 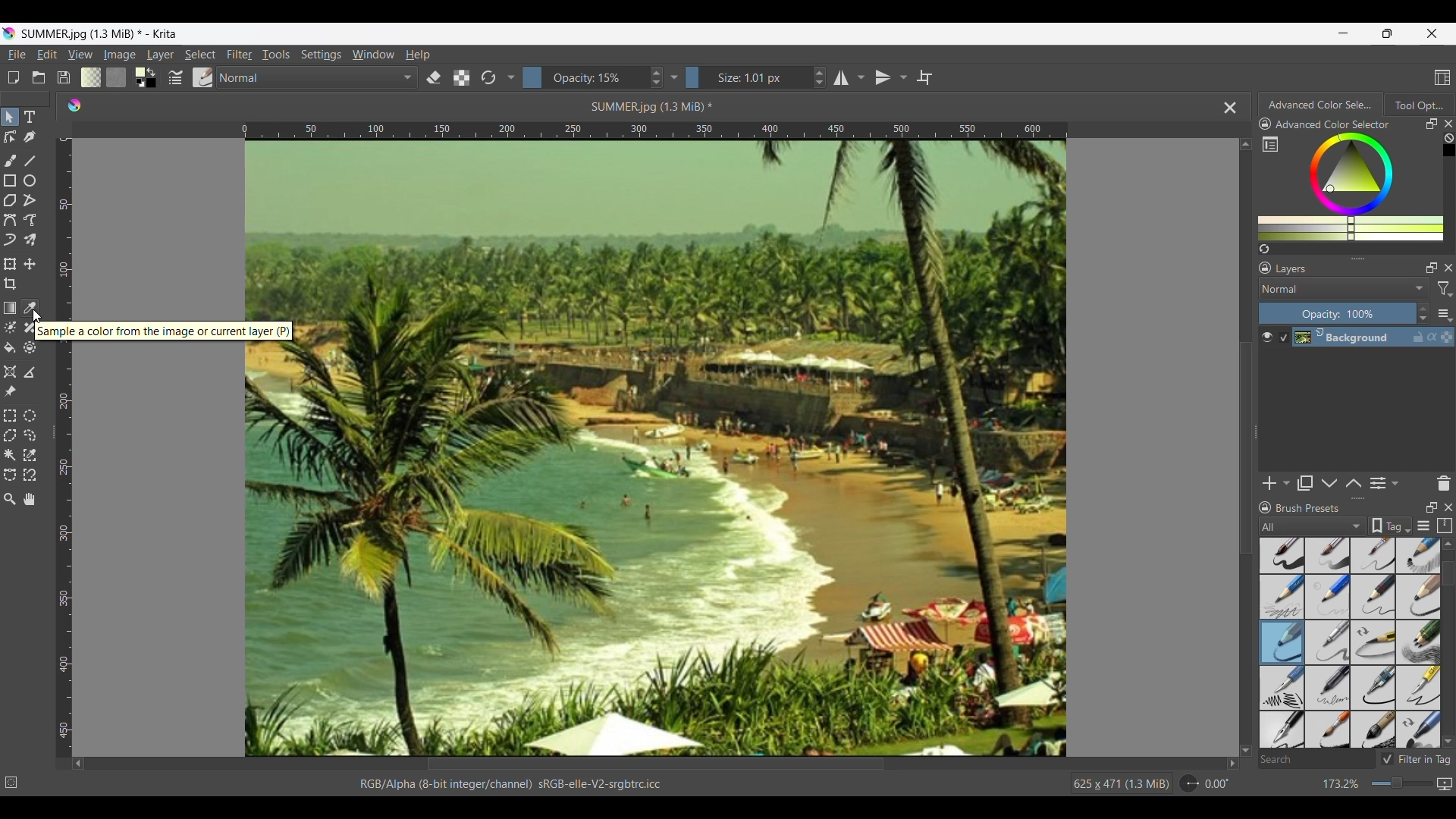 I want to click on Close tab, so click(x=1231, y=108).